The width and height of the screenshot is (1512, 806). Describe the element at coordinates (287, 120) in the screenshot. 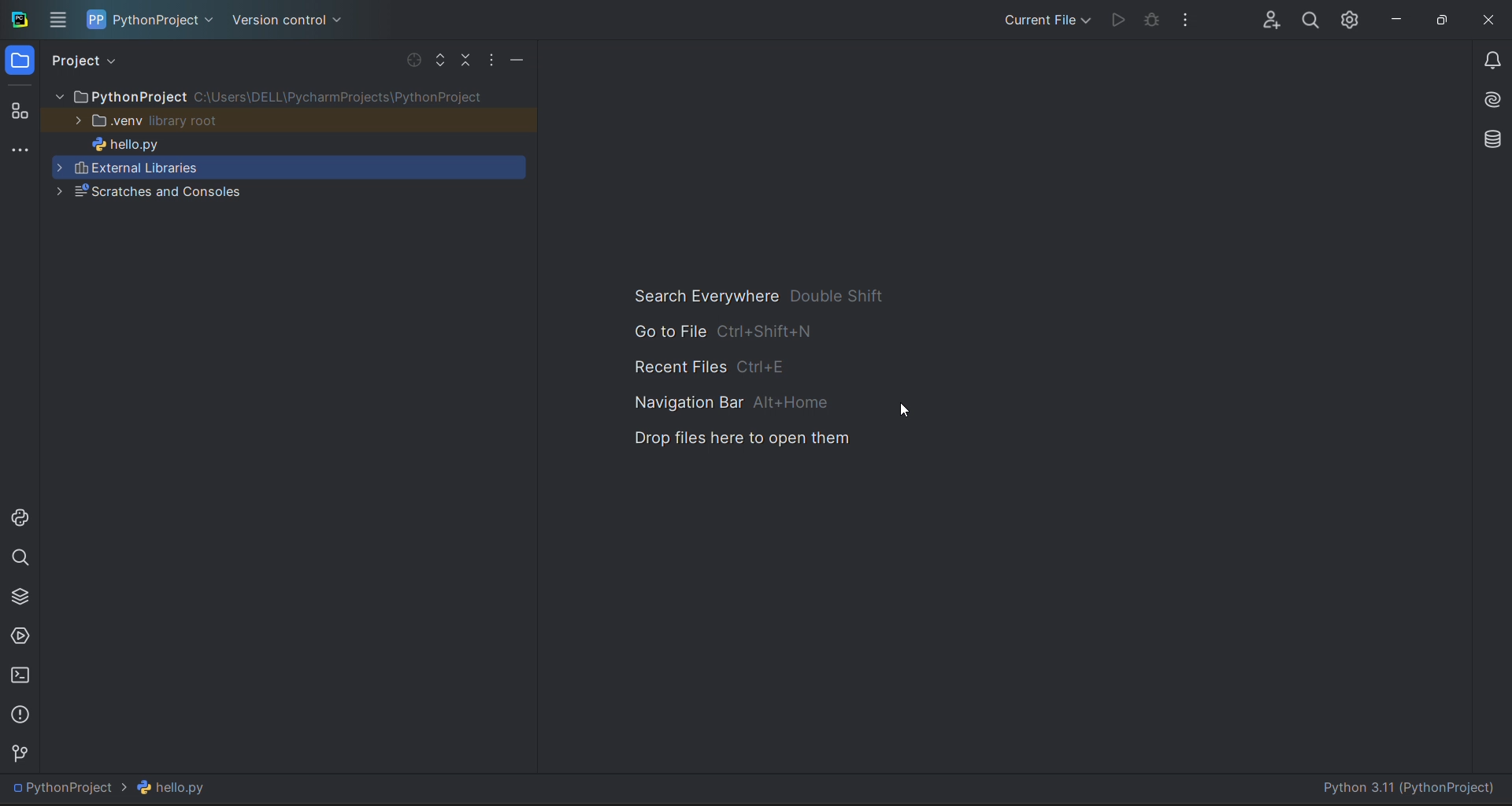

I see `.venu` at that location.